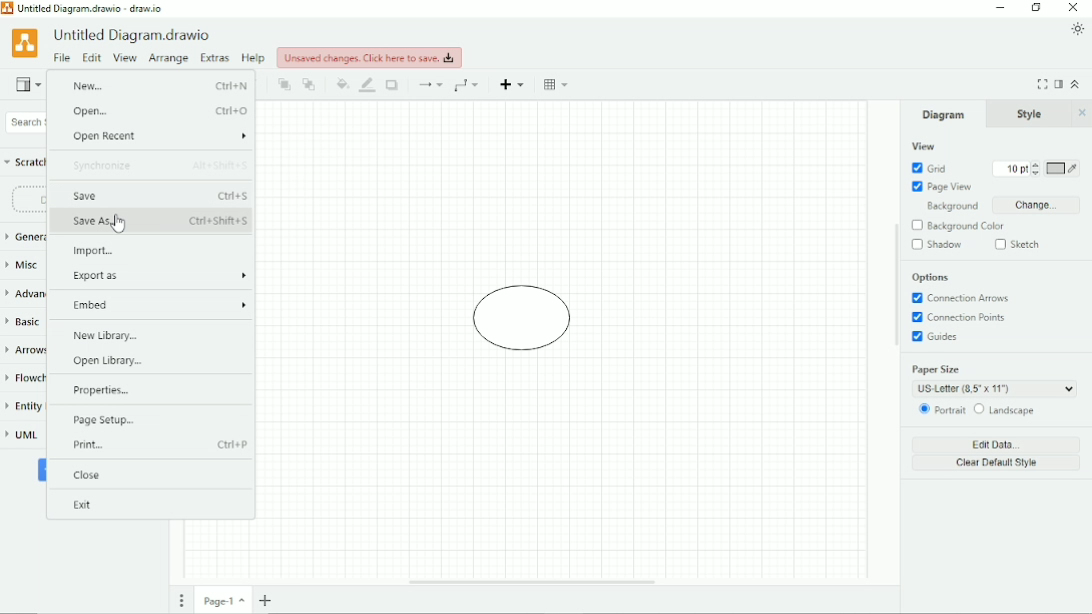  Describe the element at coordinates (511, 84) in the screenshot. I see `Insert` at that location.